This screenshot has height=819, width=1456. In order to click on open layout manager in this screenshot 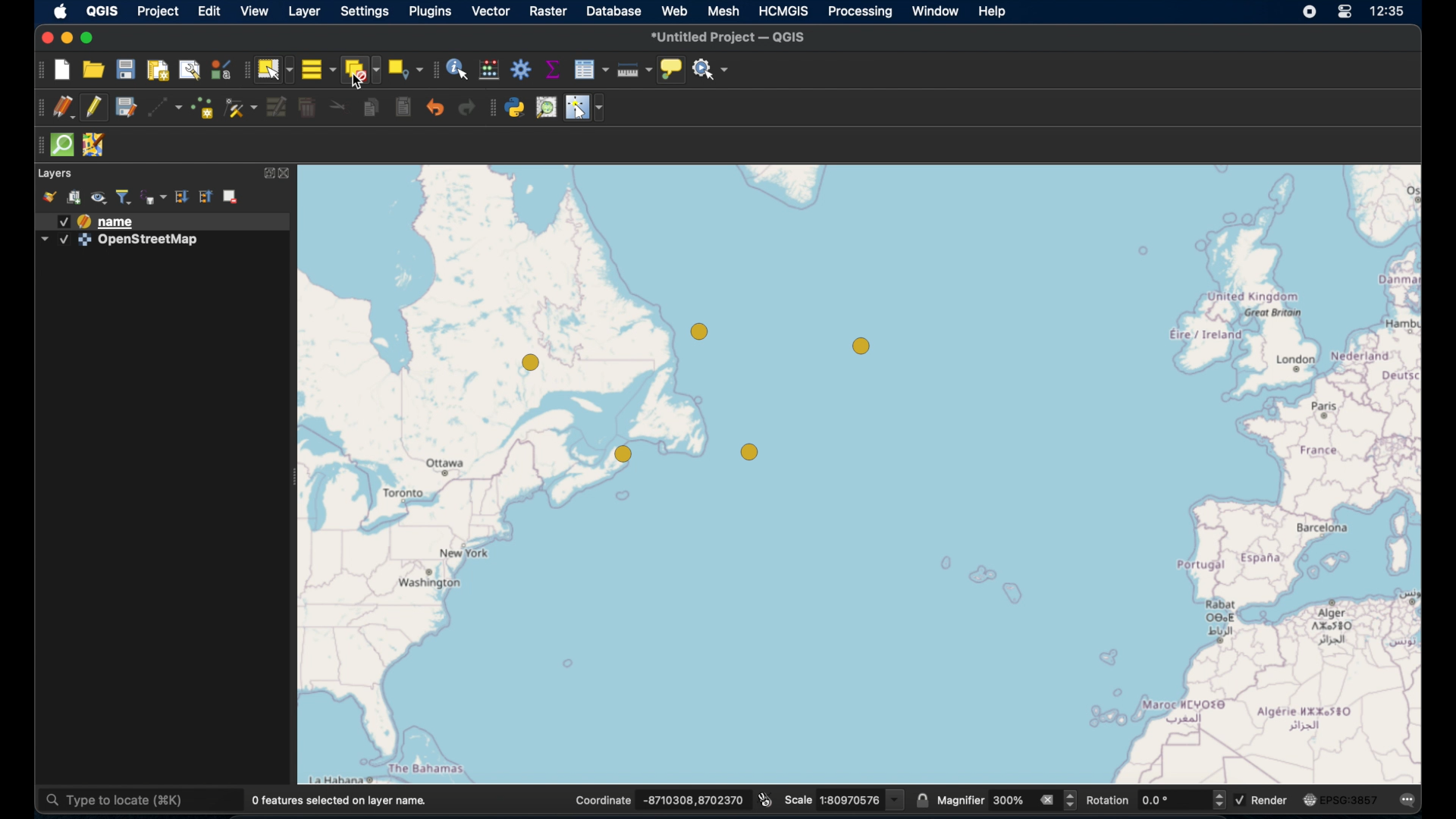, I will do `click(189, 71)`.